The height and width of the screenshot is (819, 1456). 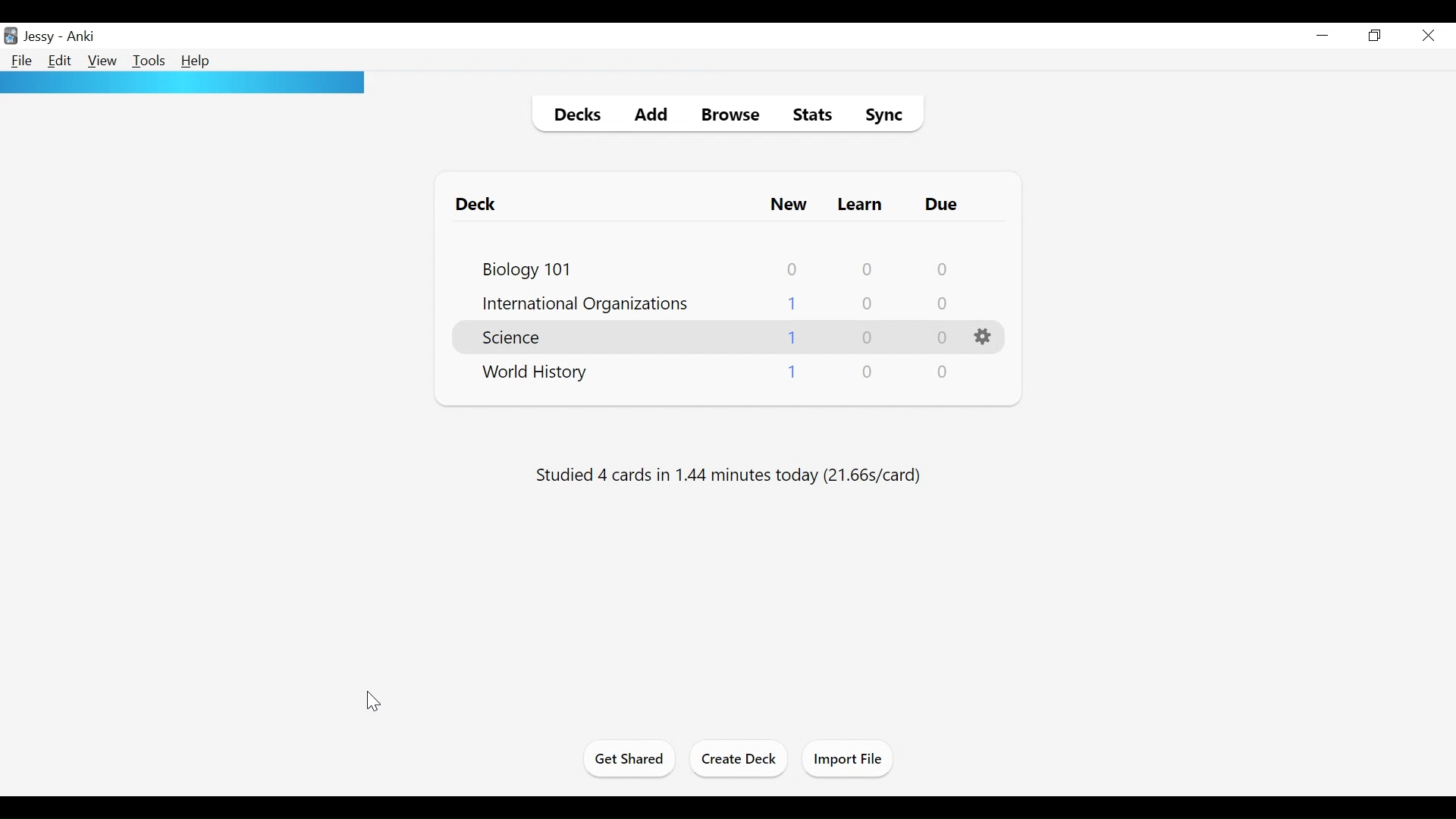 I want to click on Options, so click(x=984, y=337).